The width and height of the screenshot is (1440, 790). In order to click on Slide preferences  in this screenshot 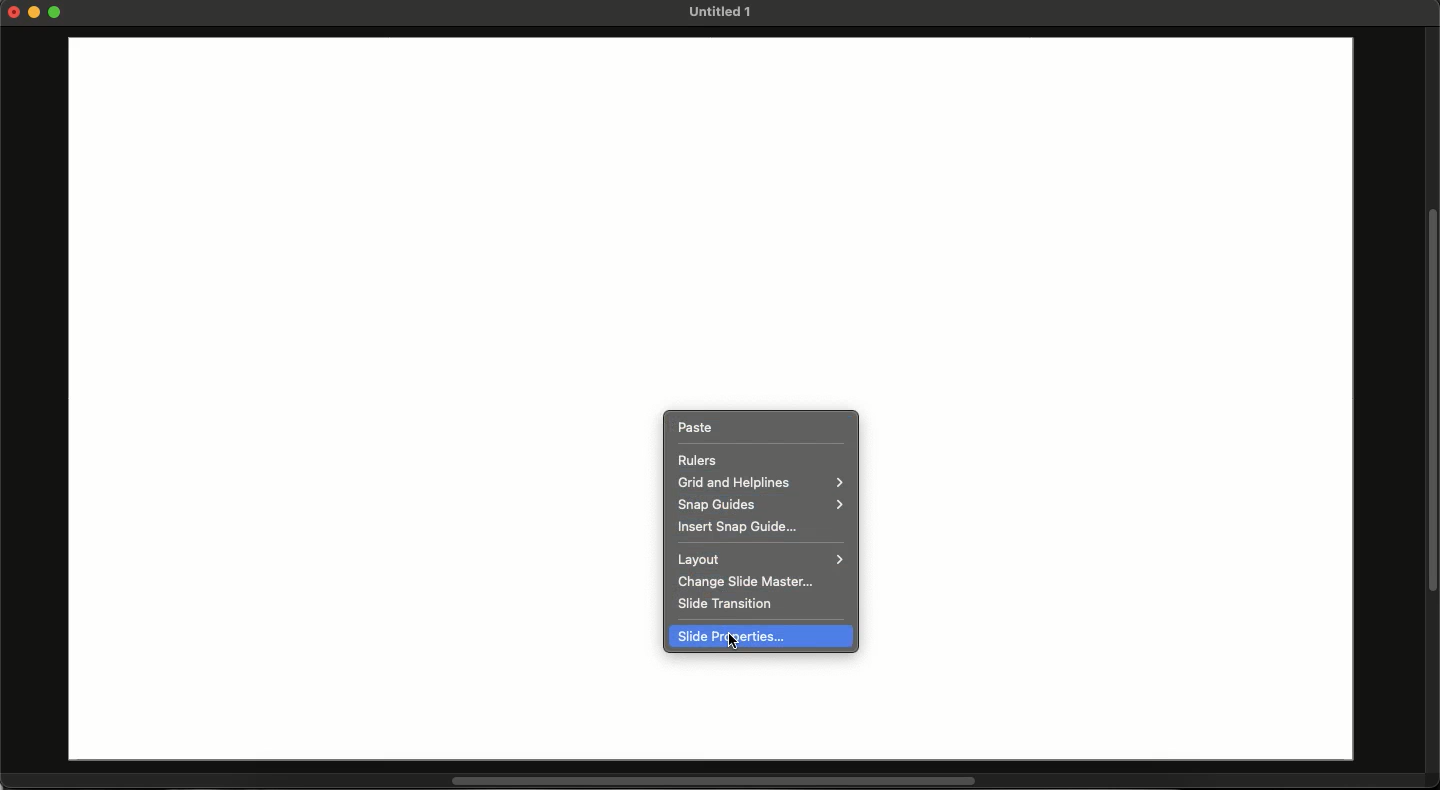, I will do `click(734, 638)`.